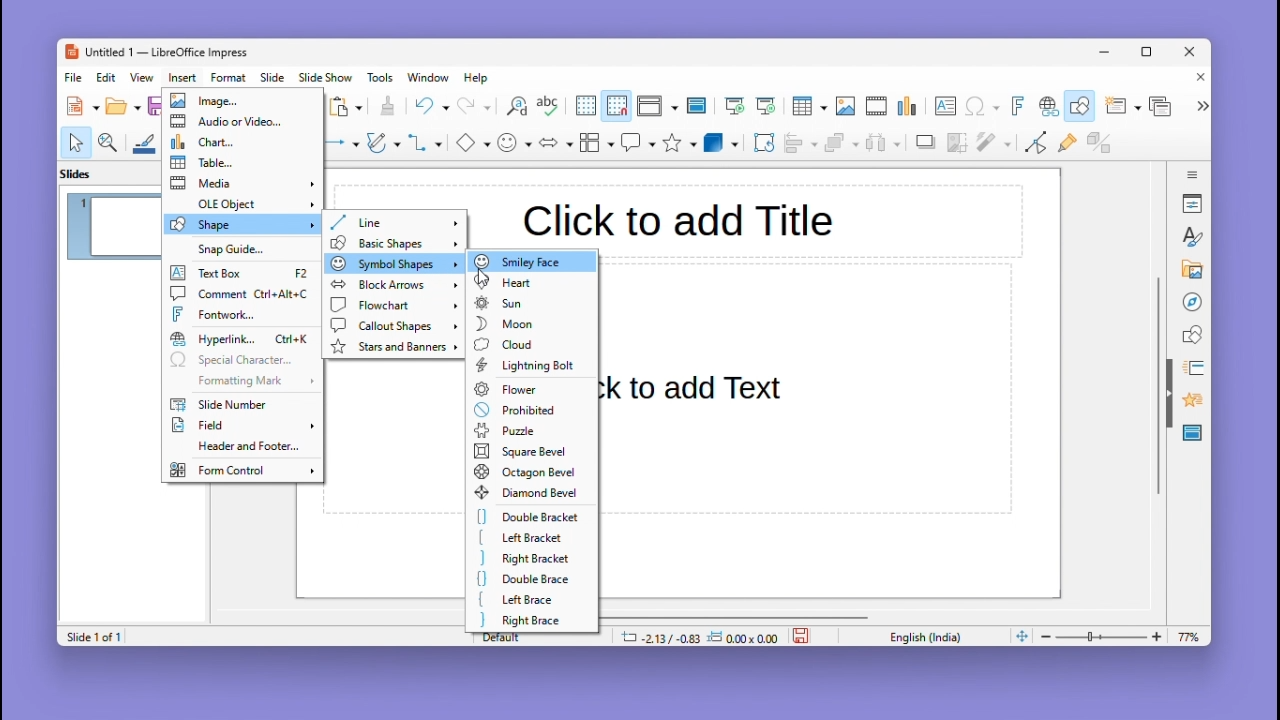  What do you see at coordinates (394, 347) in the screenshot?
I see `Stars and banners` at bounding box center [394, 347].